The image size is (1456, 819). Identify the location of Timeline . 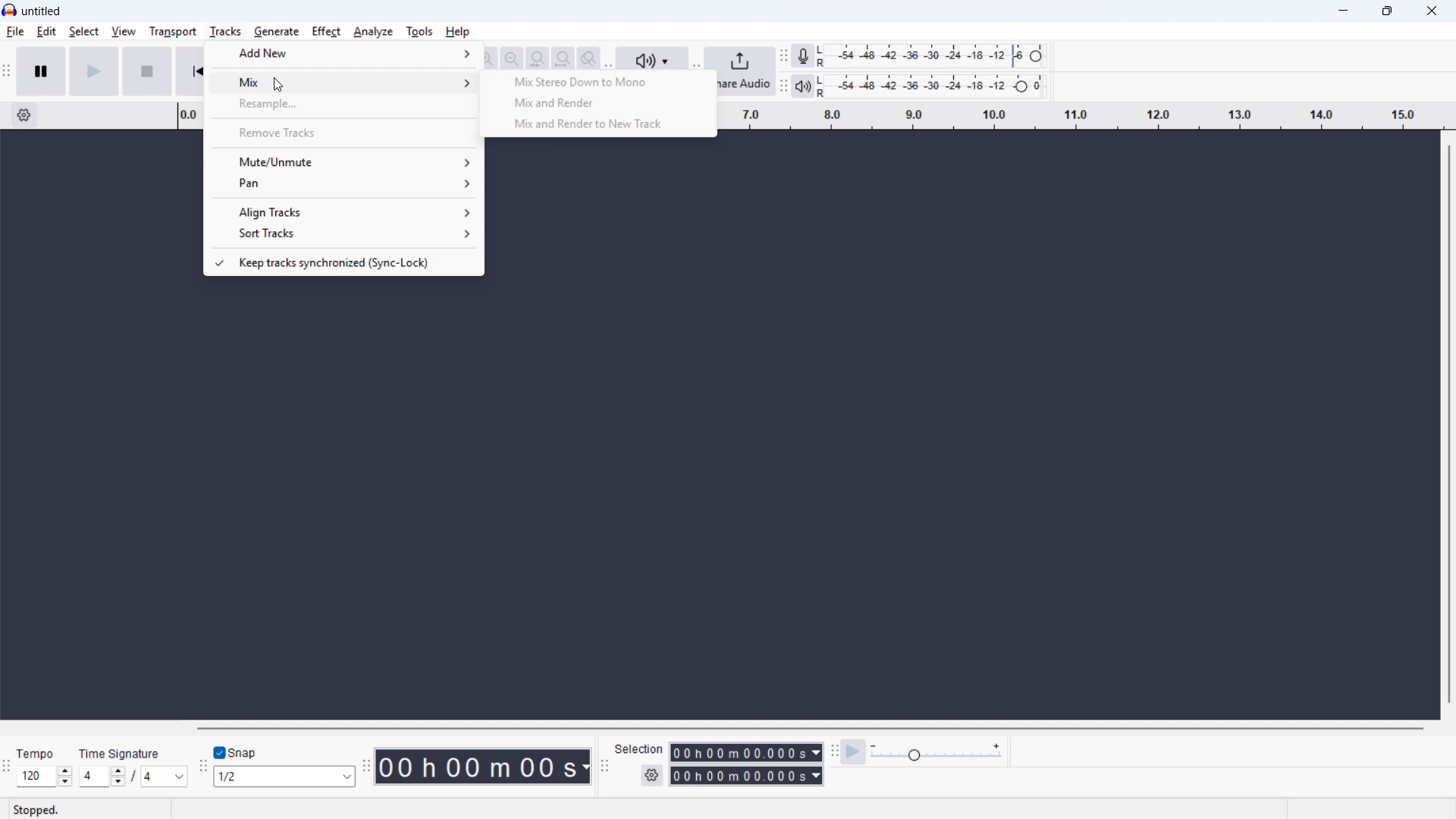
(1078, 115).